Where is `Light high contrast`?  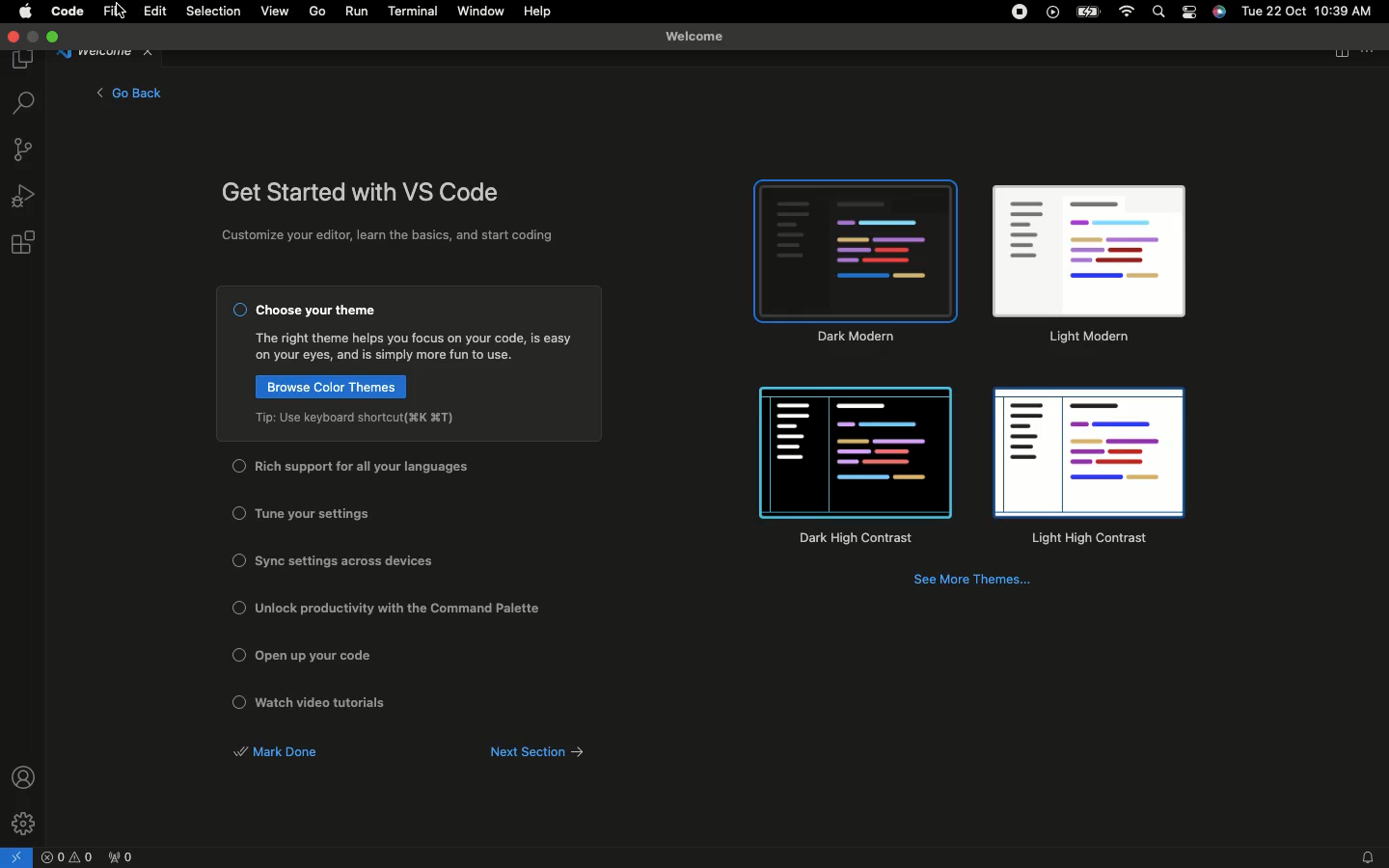 Light high contrast is located at coordinates (1087, 470).